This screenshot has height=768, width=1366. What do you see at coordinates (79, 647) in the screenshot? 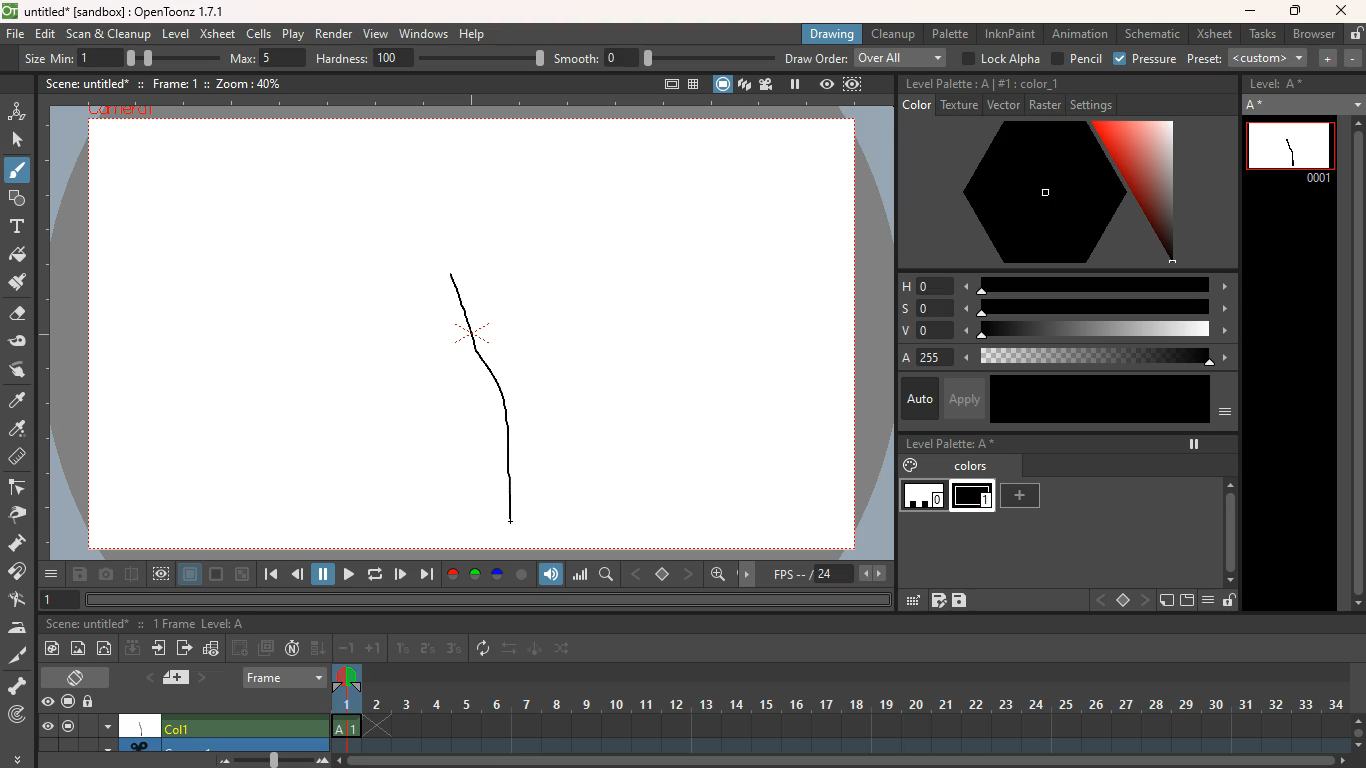
I see `image` at bounding box center [79, 647].